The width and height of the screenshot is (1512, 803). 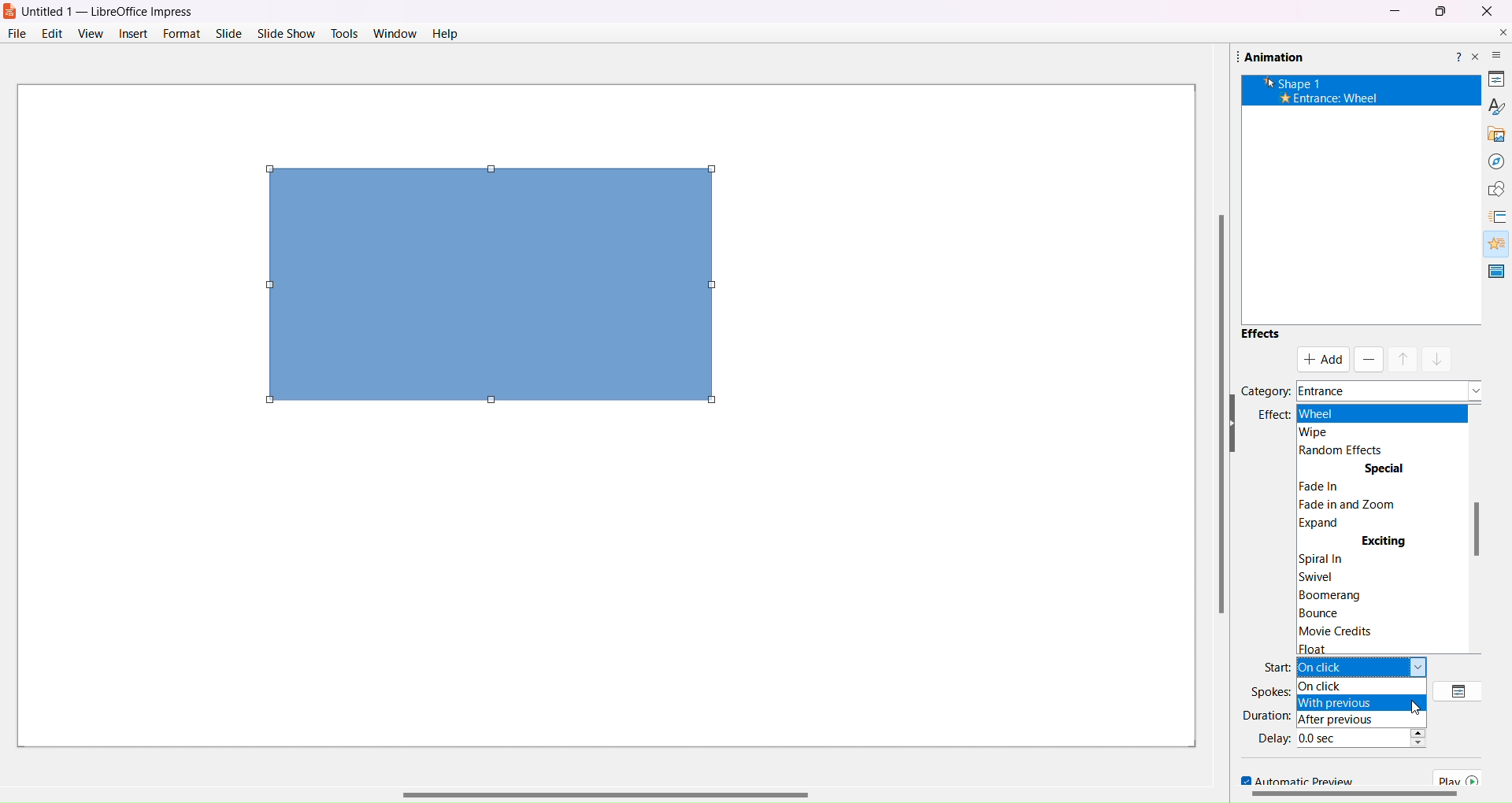 I want to click on Format, so click(x=180, y=33).